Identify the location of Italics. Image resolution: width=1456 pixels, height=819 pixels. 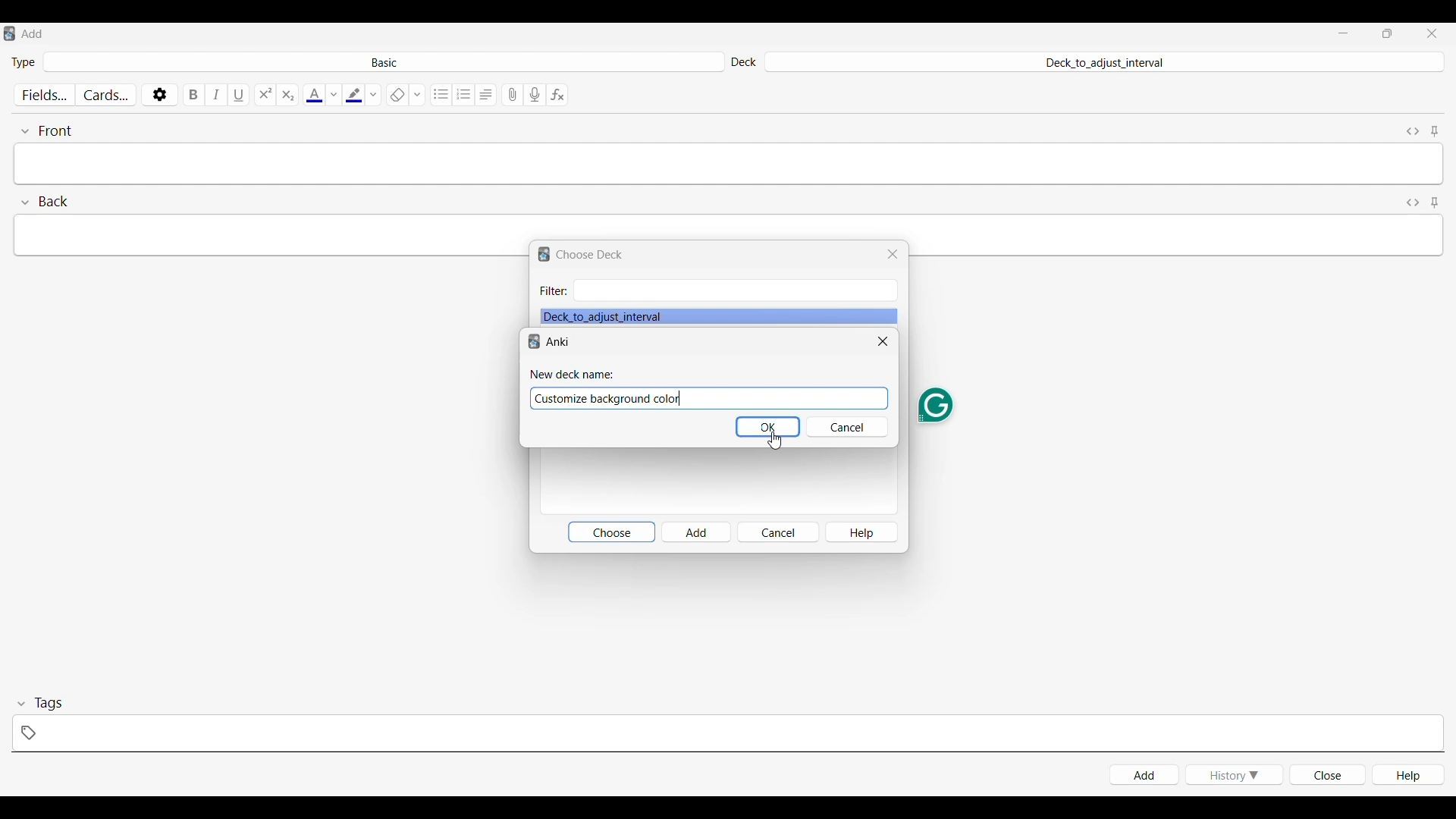
(217, 95).